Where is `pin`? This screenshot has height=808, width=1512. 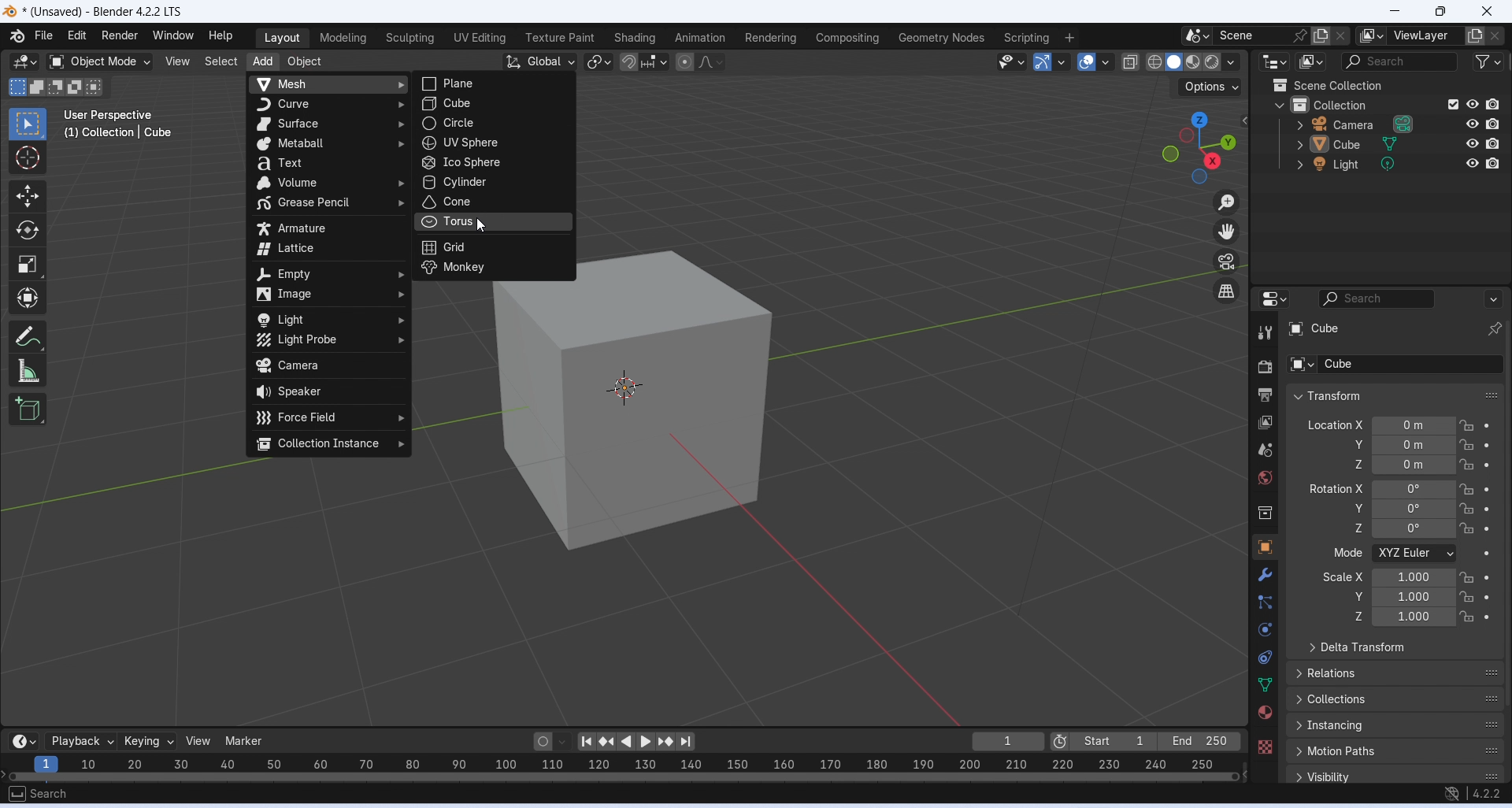
pin is located at coordinates (1298, 35).